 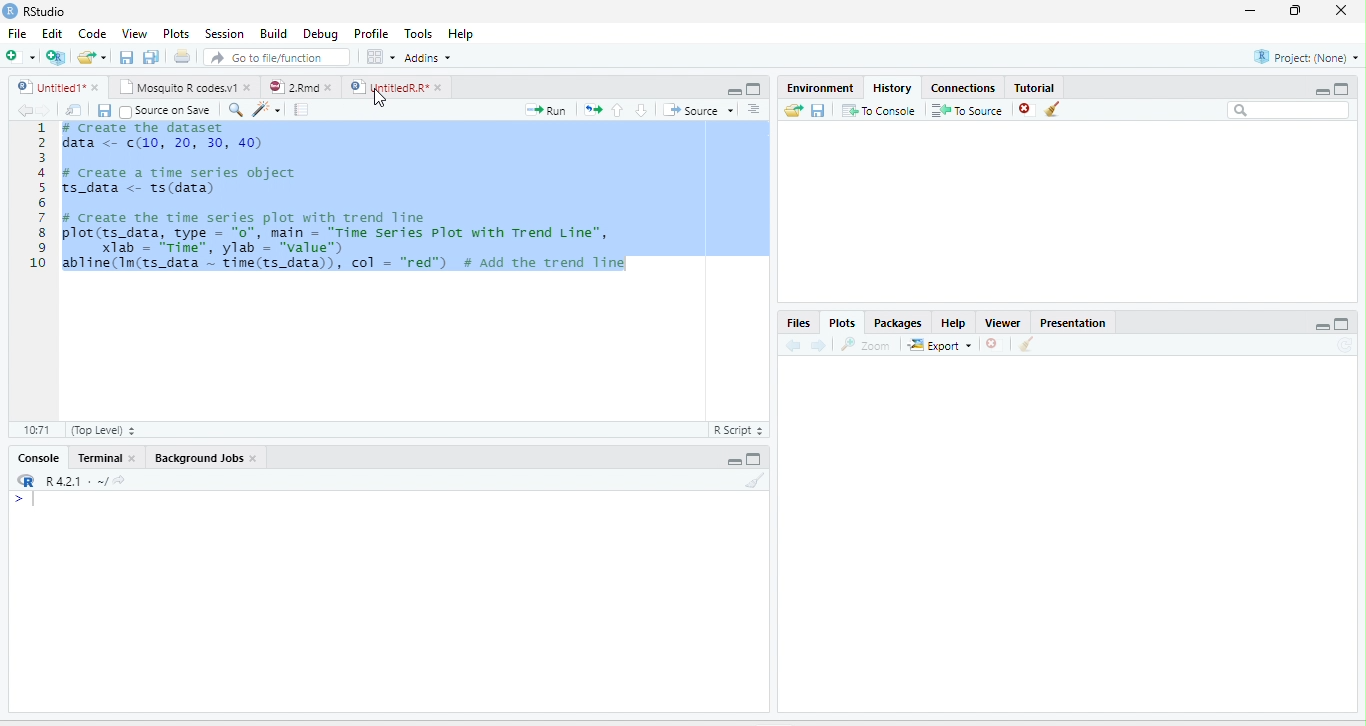 I want to click on Minimize, so click(x=1321, y=91).